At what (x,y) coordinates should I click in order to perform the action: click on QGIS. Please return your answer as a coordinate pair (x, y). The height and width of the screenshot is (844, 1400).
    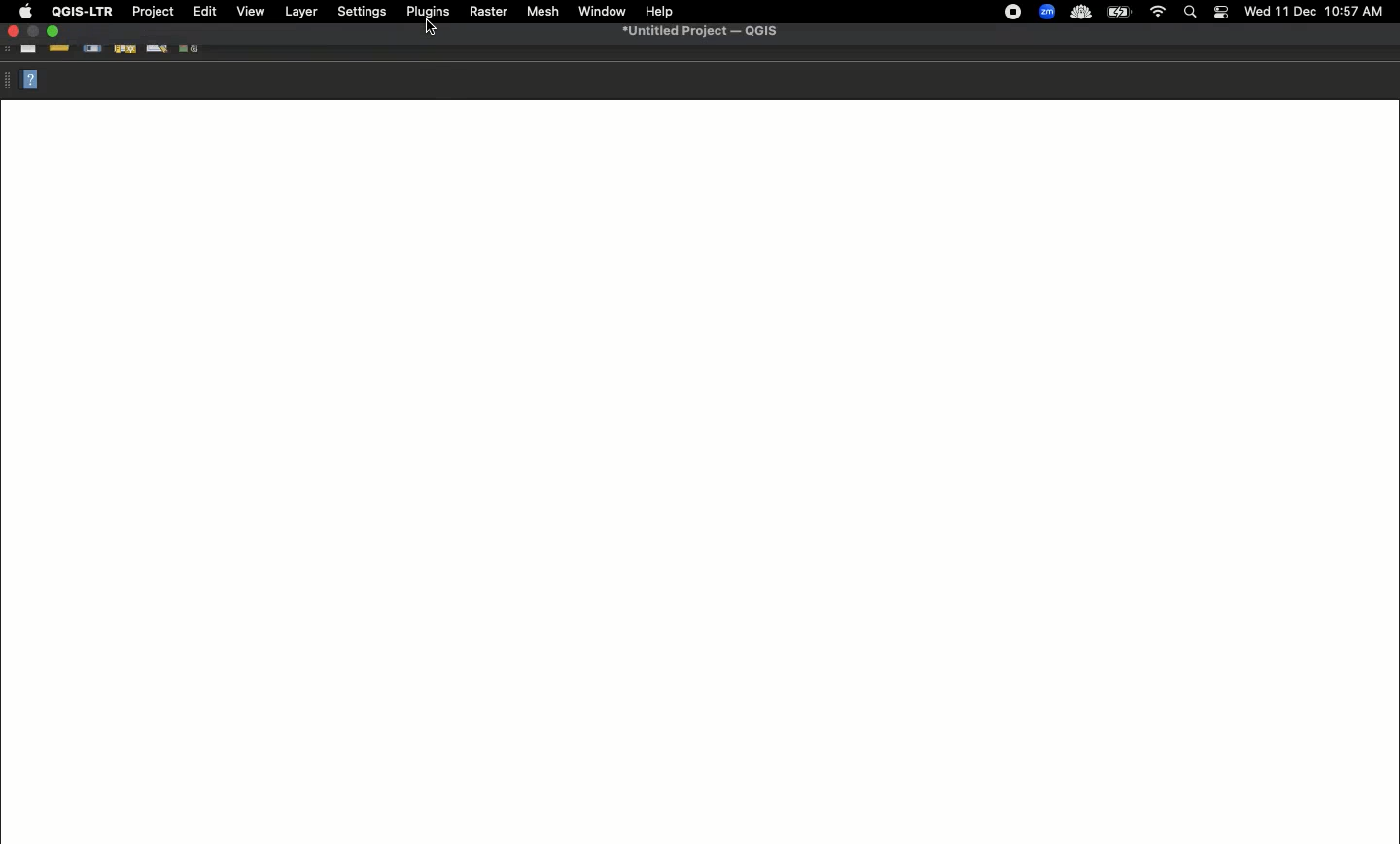
    Looking at the image, I should click on (82, 12).